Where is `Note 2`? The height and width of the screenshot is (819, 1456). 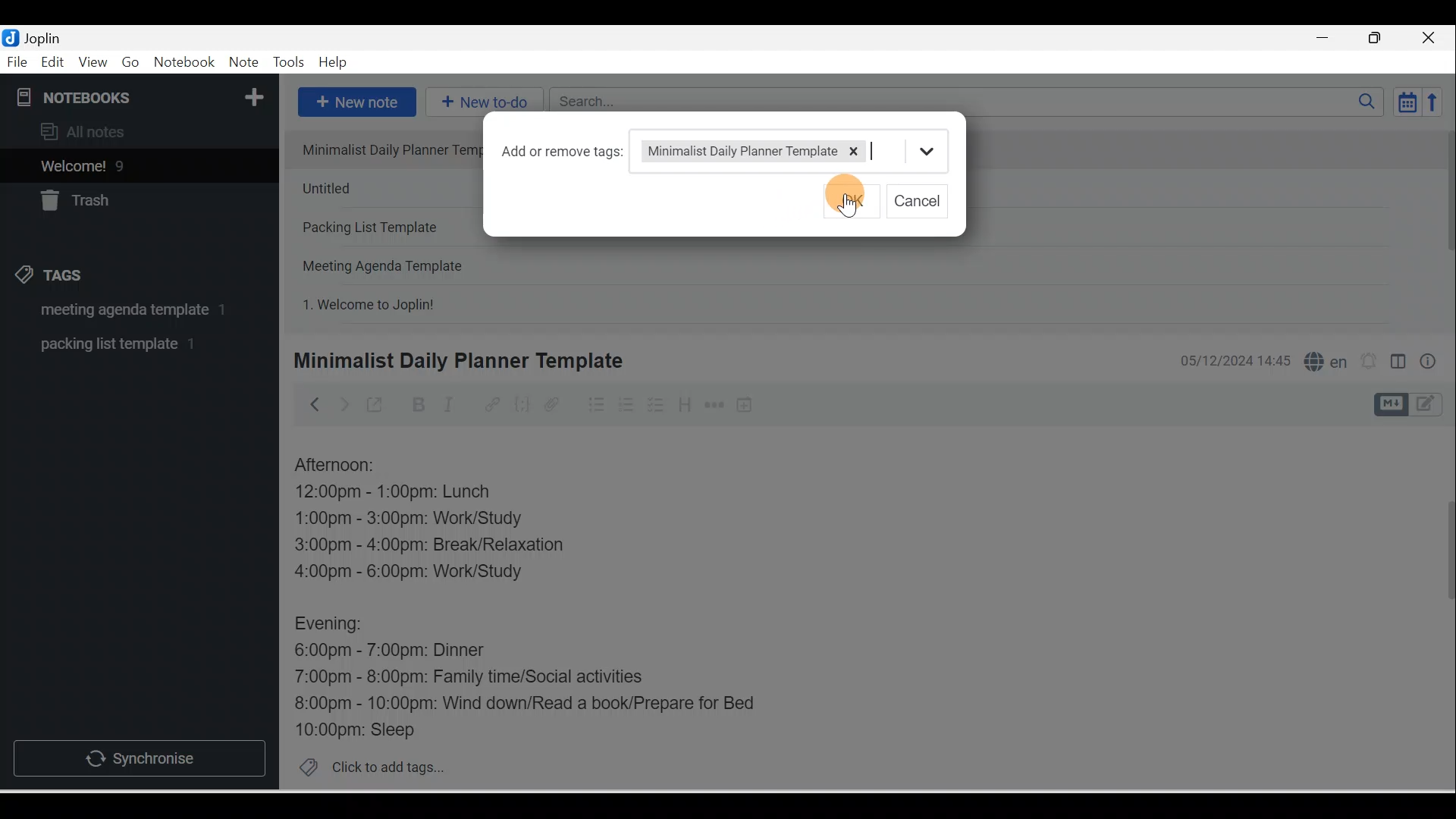
Note 2 is located at coordinates (390, 188).